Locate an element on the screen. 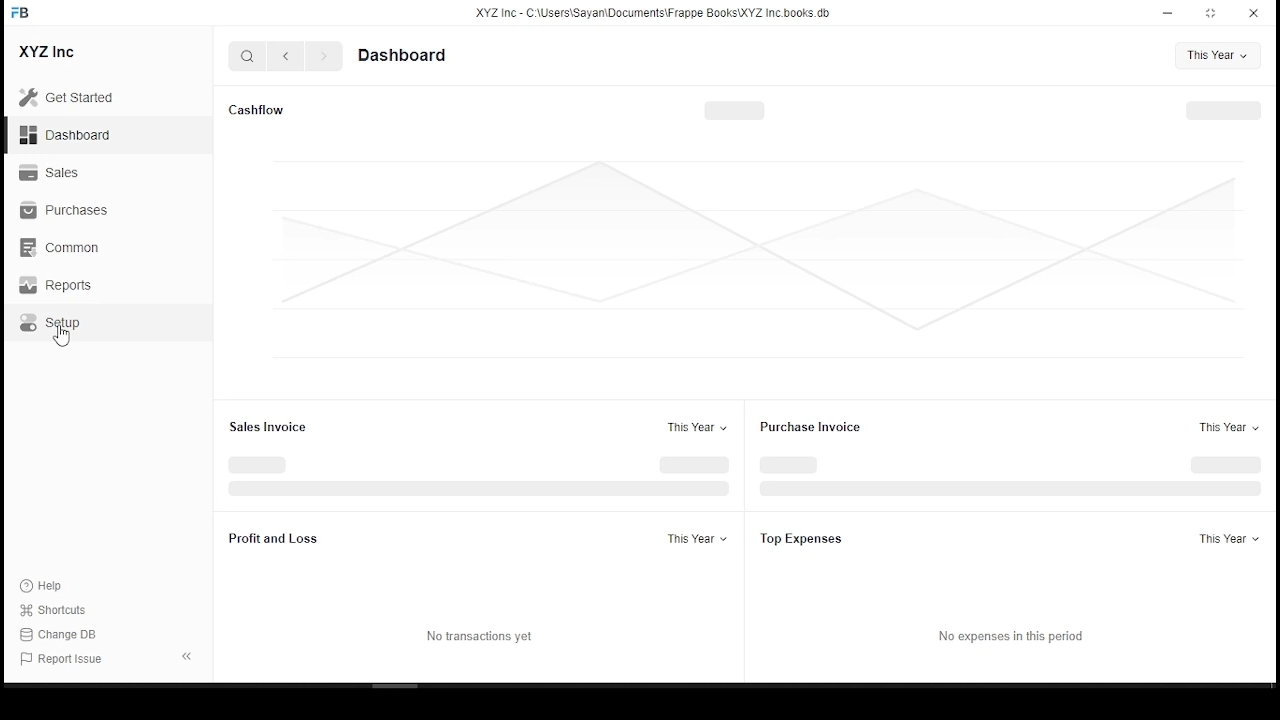  This Year is located at coordinates (1218, 55).